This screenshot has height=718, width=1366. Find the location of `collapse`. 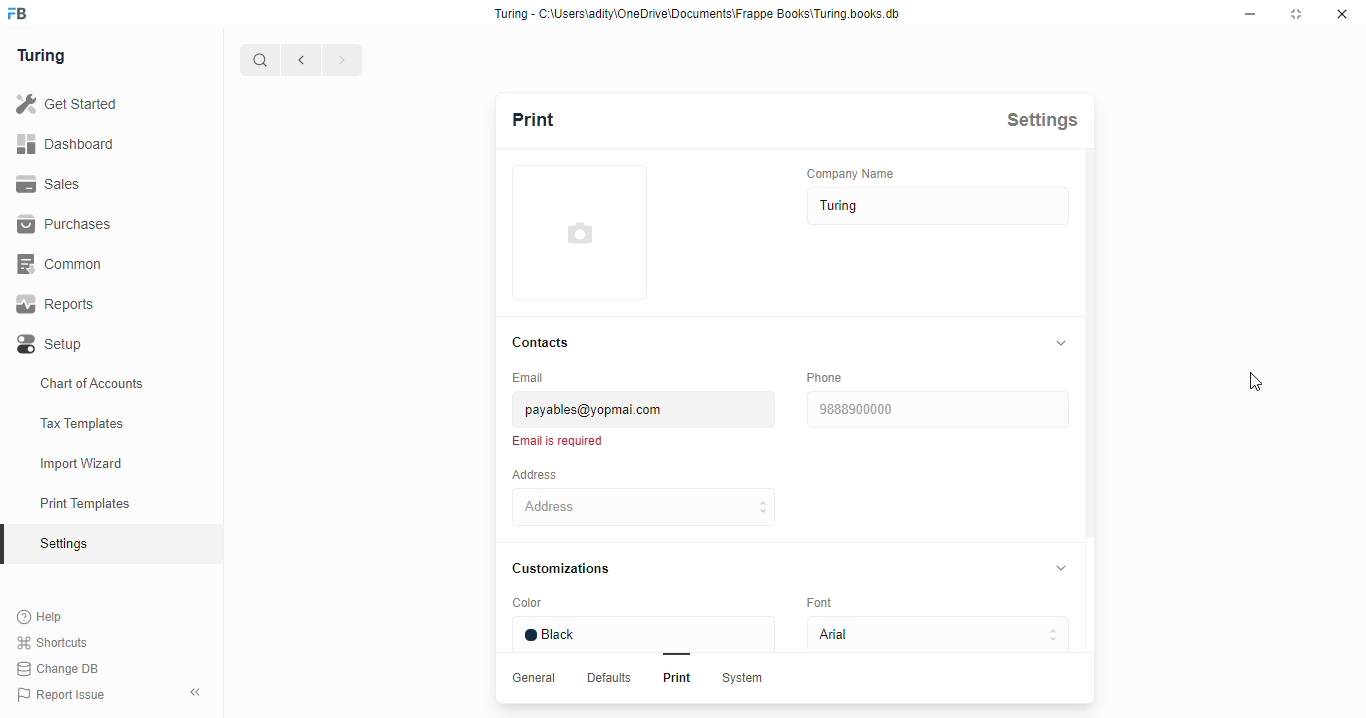

collapse is located at coordinates (1066, 570).